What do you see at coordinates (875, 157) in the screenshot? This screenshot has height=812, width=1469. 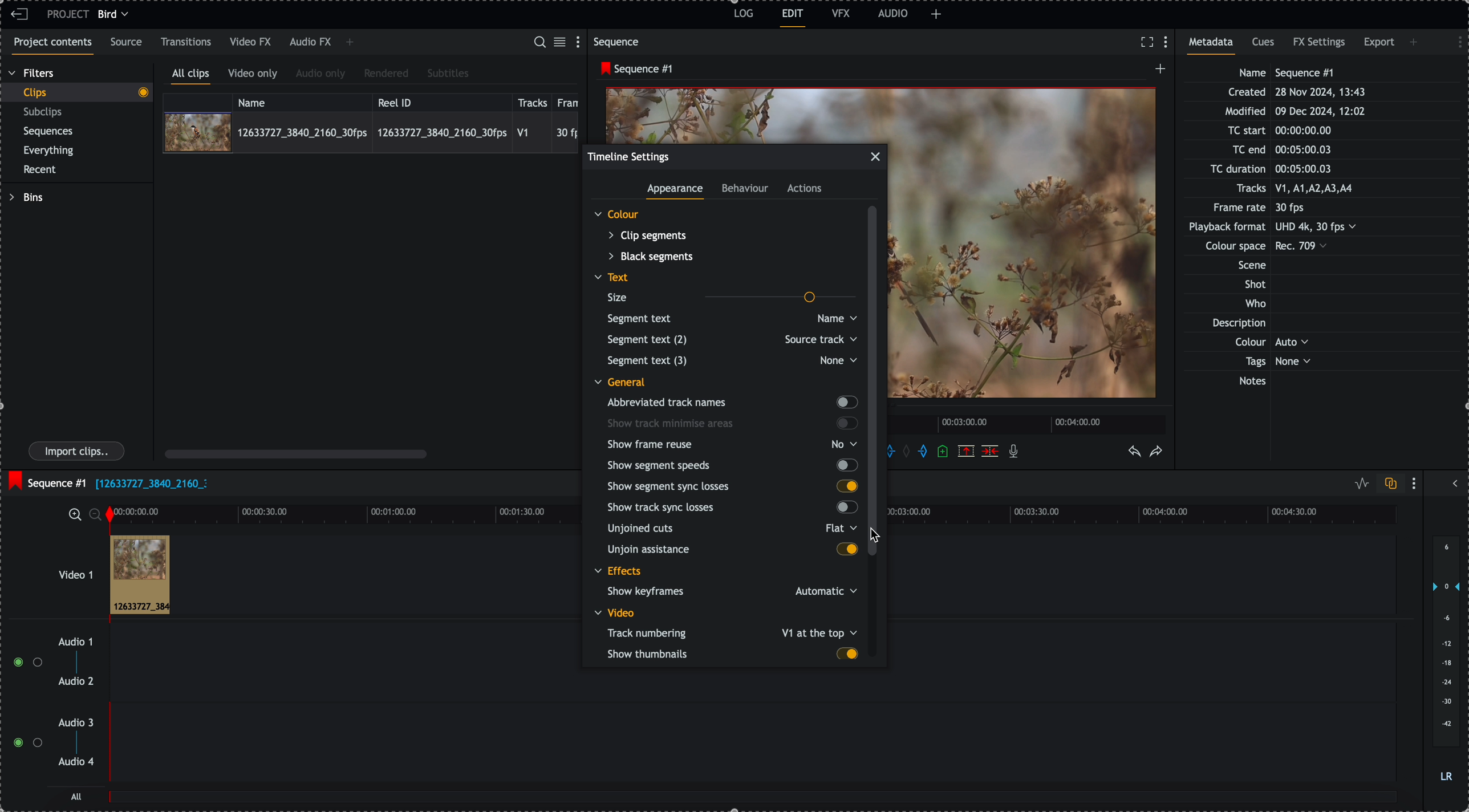 I see `close popup` at bounding box center [875, 157].